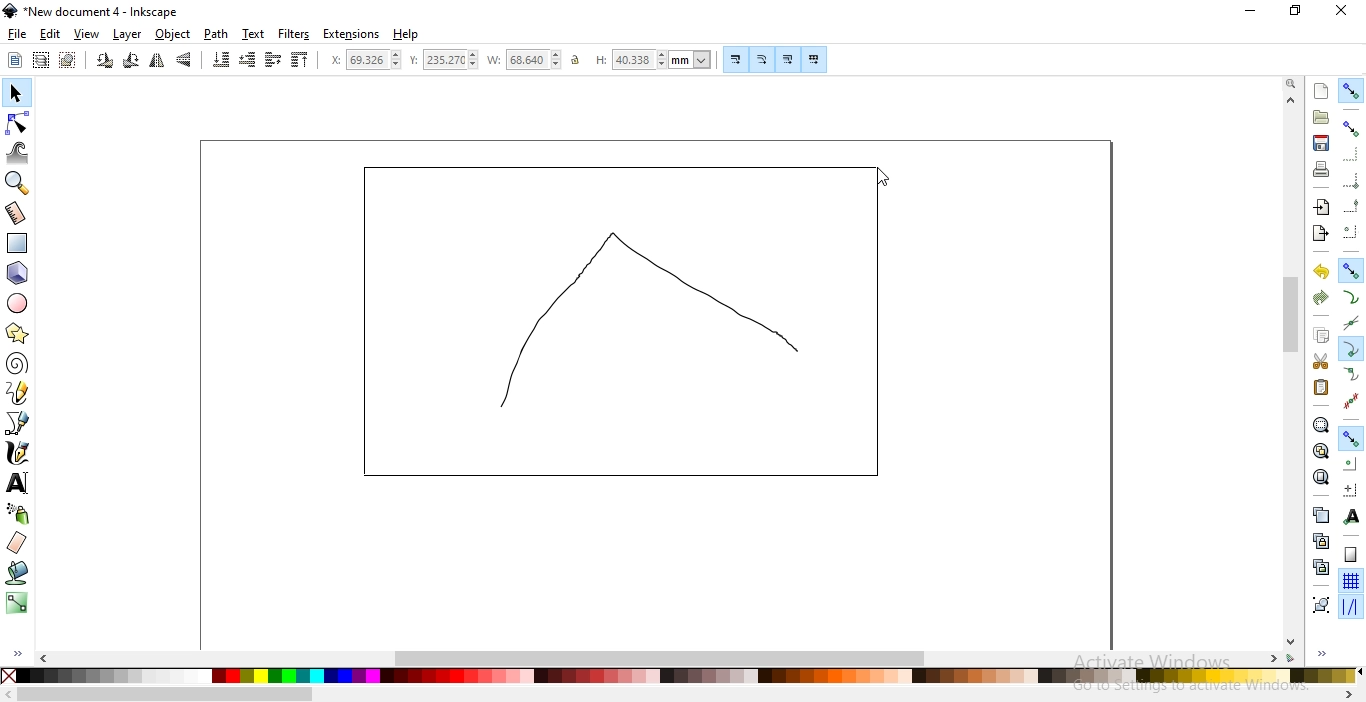 This screenshot has width=1366, height=702. What do you see at coordinates (50, 36) in the screenshot?
I see `edit` at bounding box center [50, 36].